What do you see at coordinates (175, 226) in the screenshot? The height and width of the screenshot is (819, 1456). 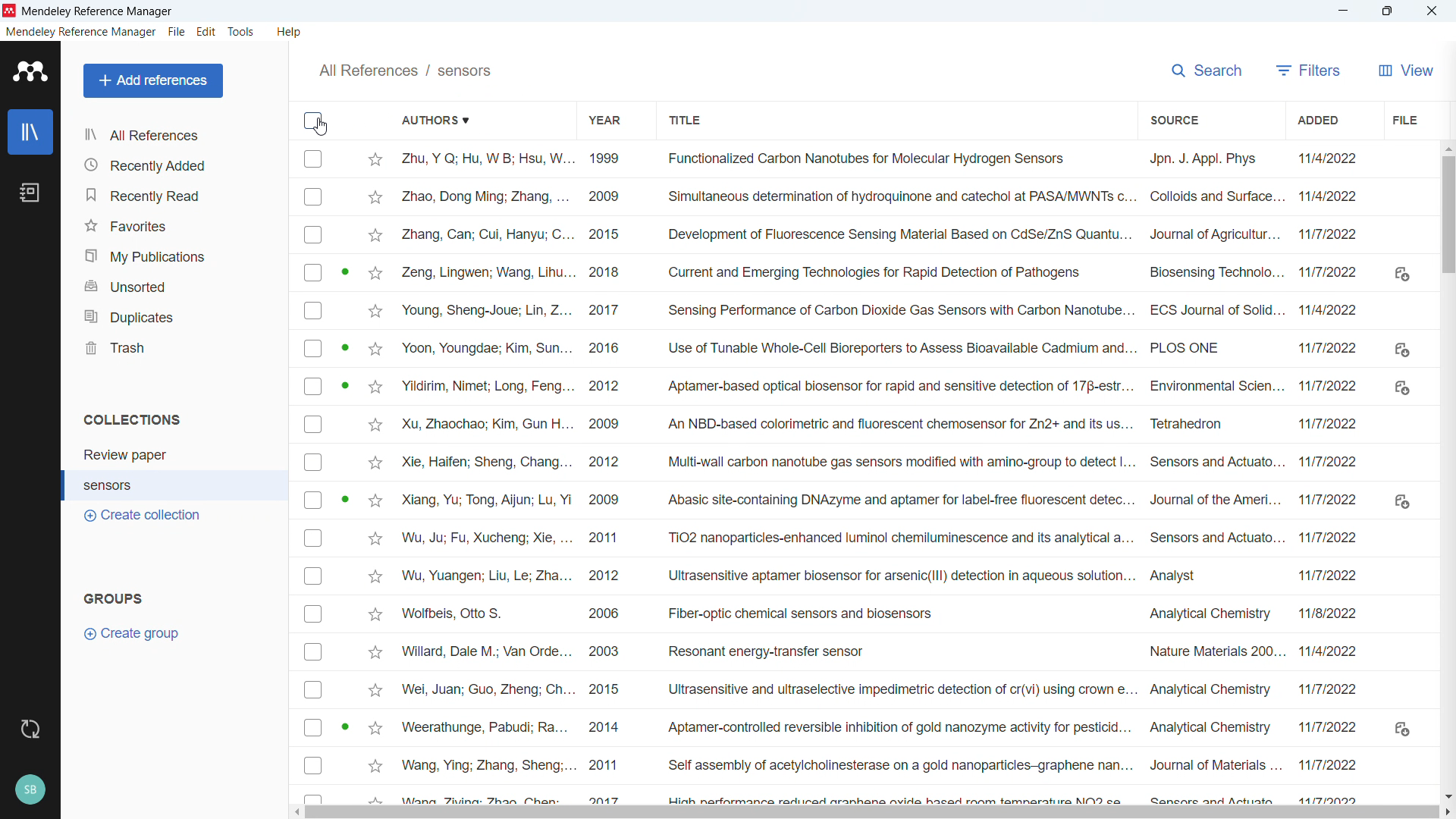 I see `favorites` at bounding box center [175, 226].